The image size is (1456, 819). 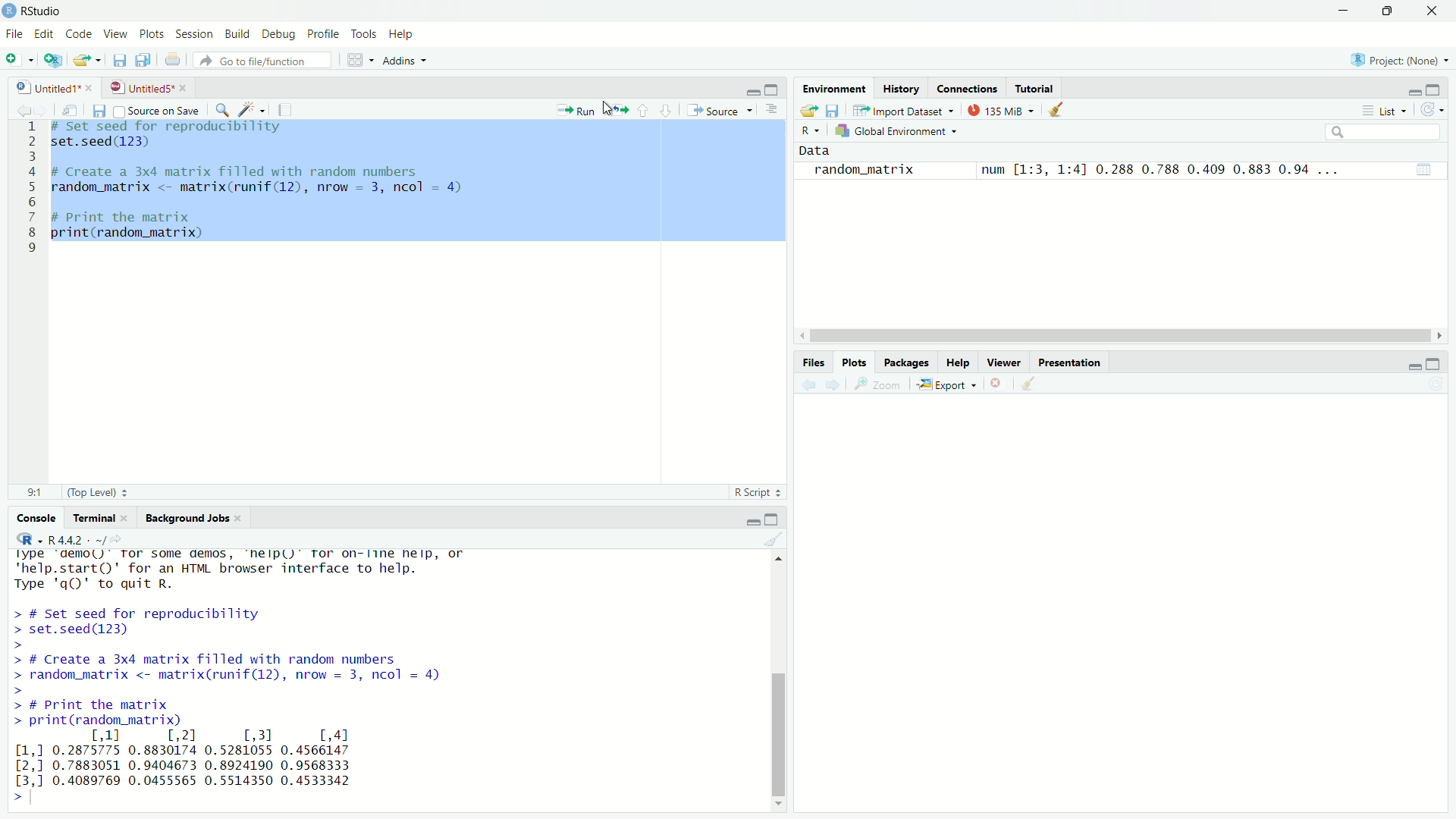 What do you see at coordinates (839, 385) in the screenshot?
I see `next` at bounding box center [839, 385].